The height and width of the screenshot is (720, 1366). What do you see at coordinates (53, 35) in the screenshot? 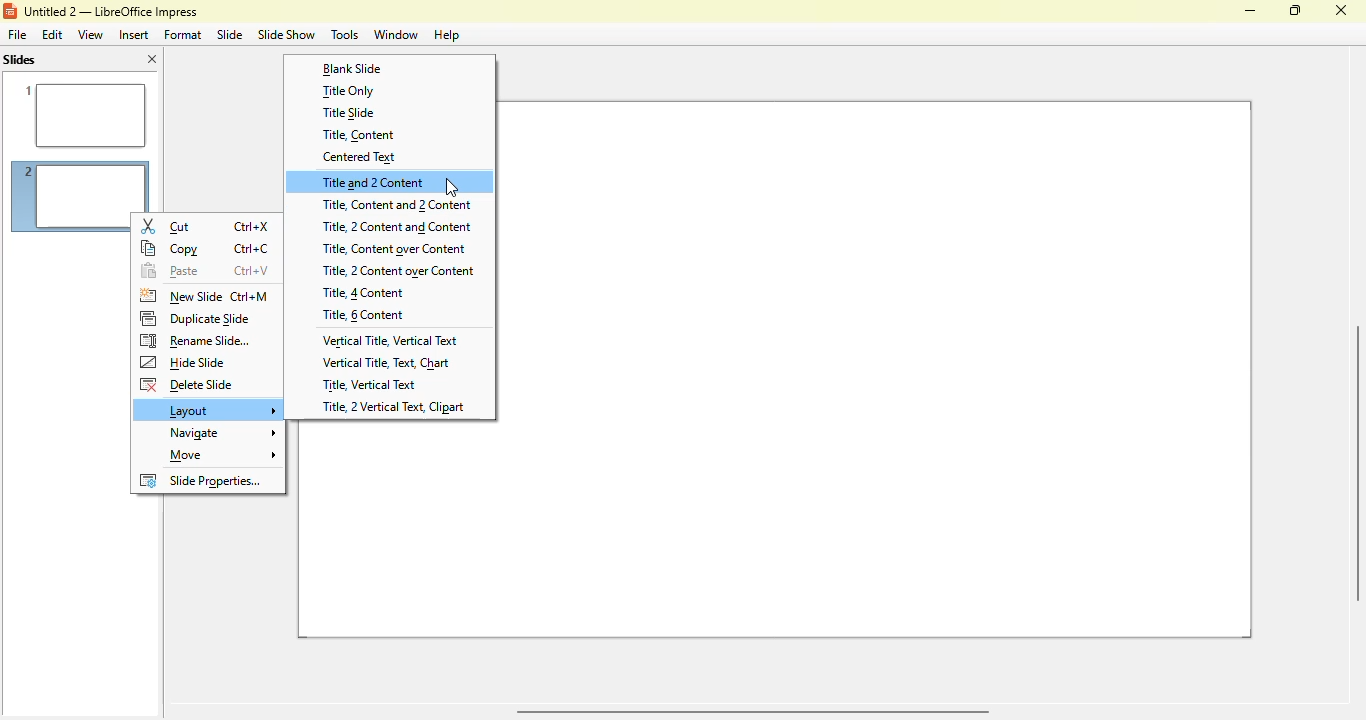
I see `edit` at bounding box center [53, 35].